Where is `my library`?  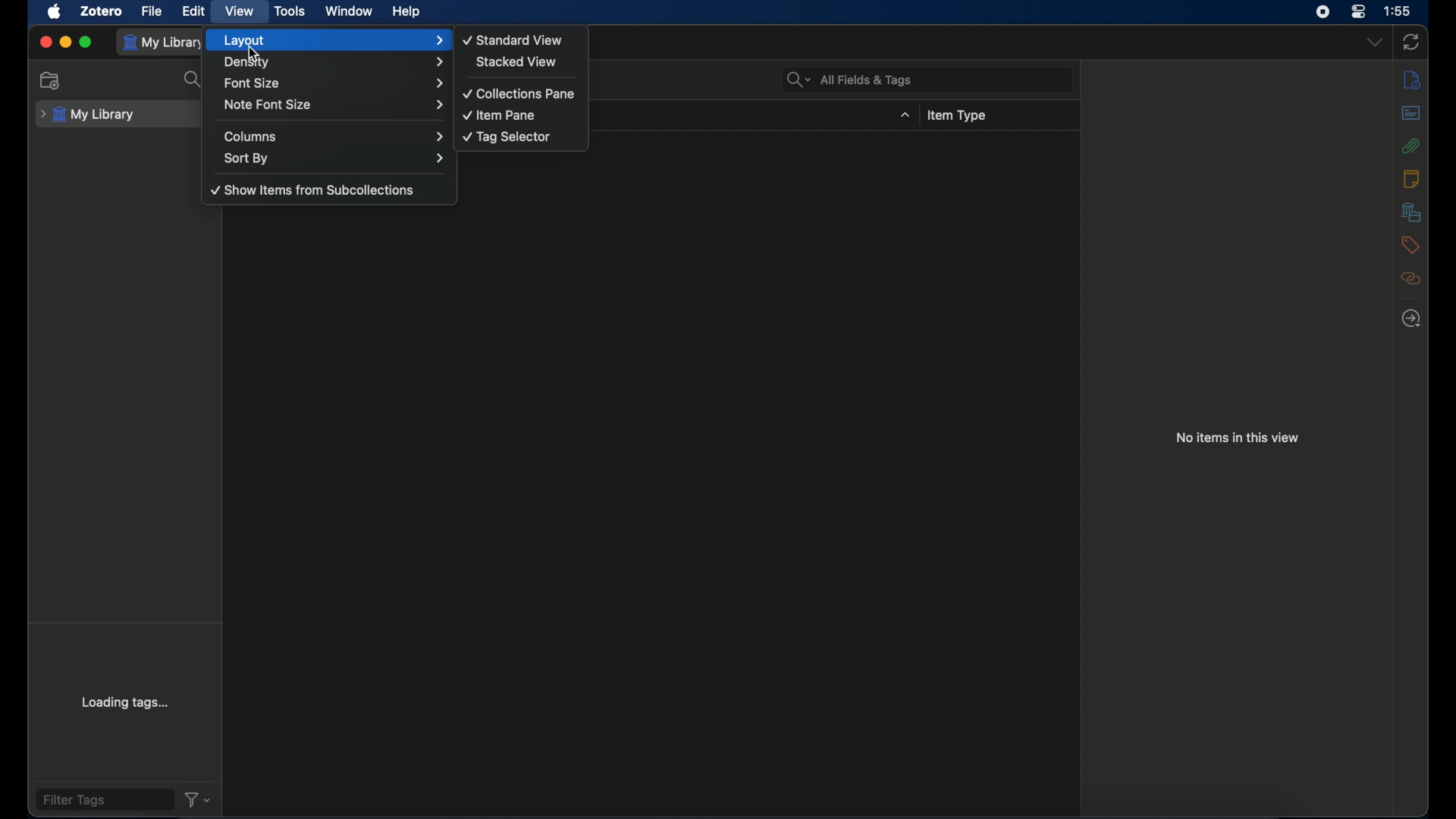
my library is located at coordinates (165, 42).